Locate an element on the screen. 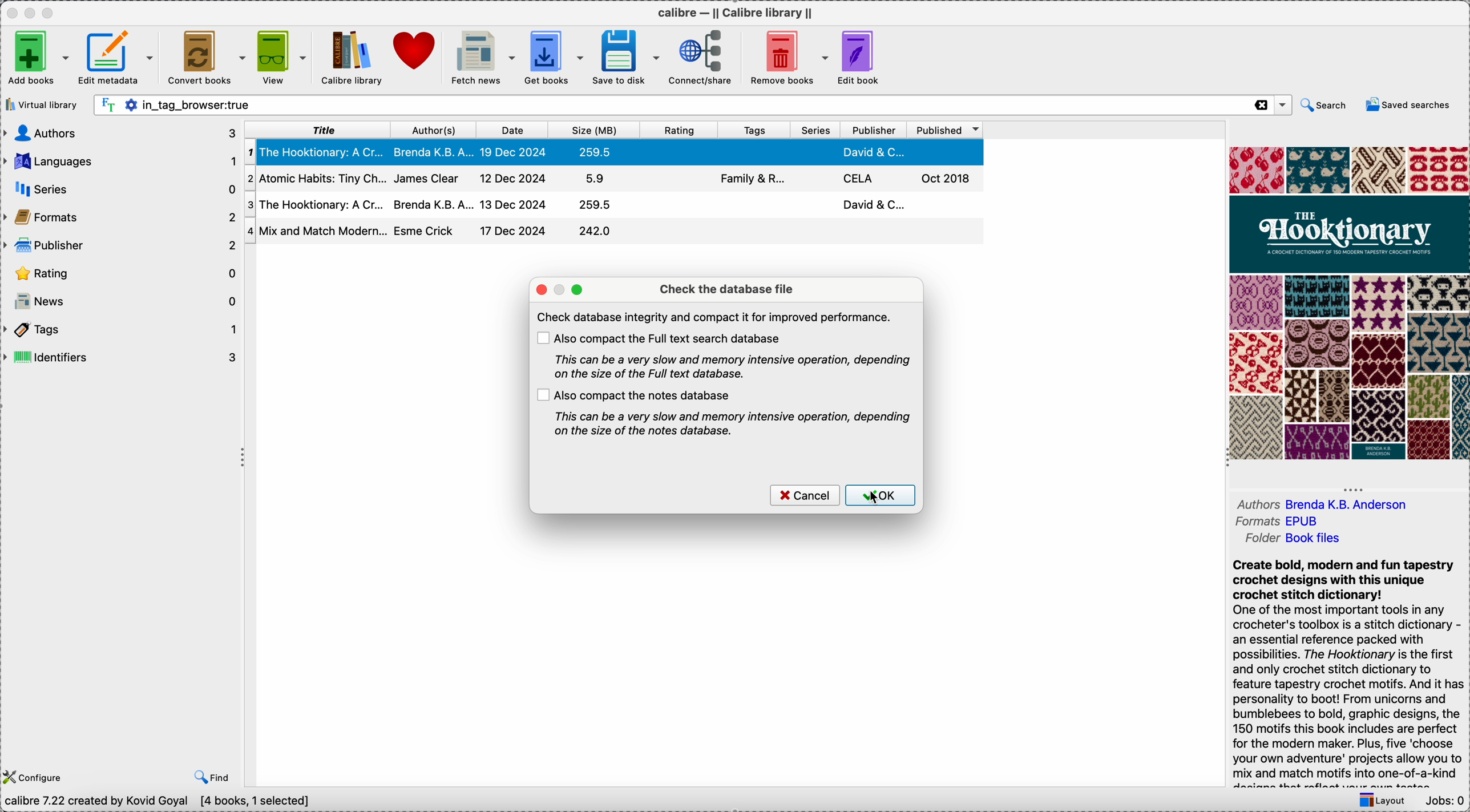  title is located at coordinates (316, 130).